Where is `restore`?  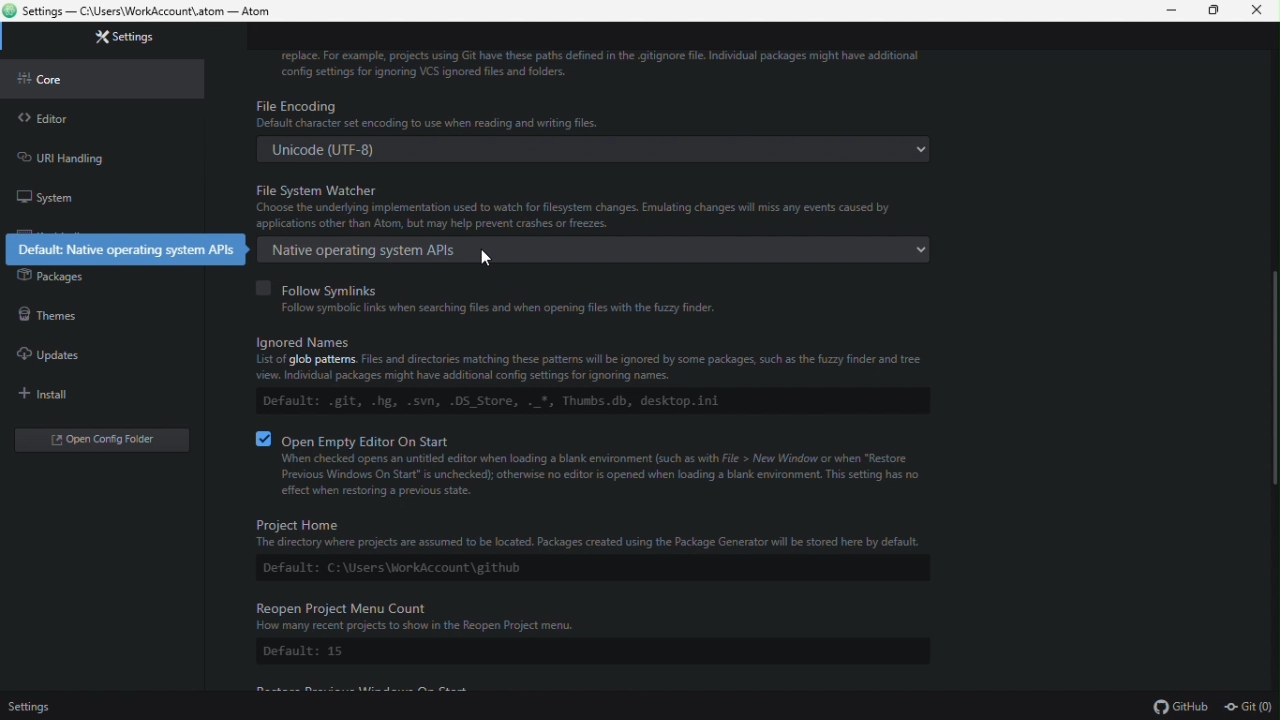 restore is located at coordinates (1218, 12).